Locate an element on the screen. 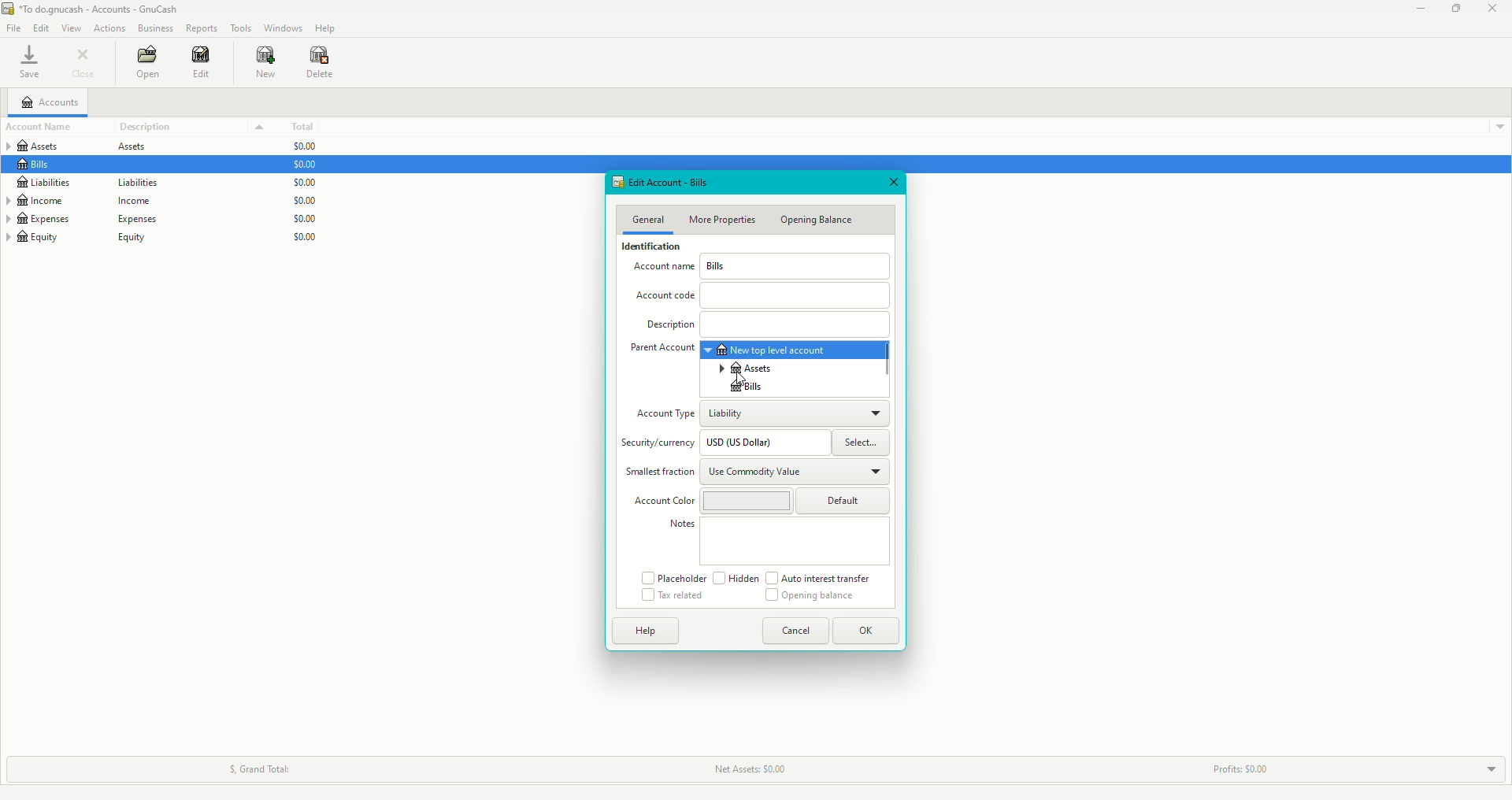 This screenshot has height=800, width=1512. Bills is located at coordinates (796, 266).